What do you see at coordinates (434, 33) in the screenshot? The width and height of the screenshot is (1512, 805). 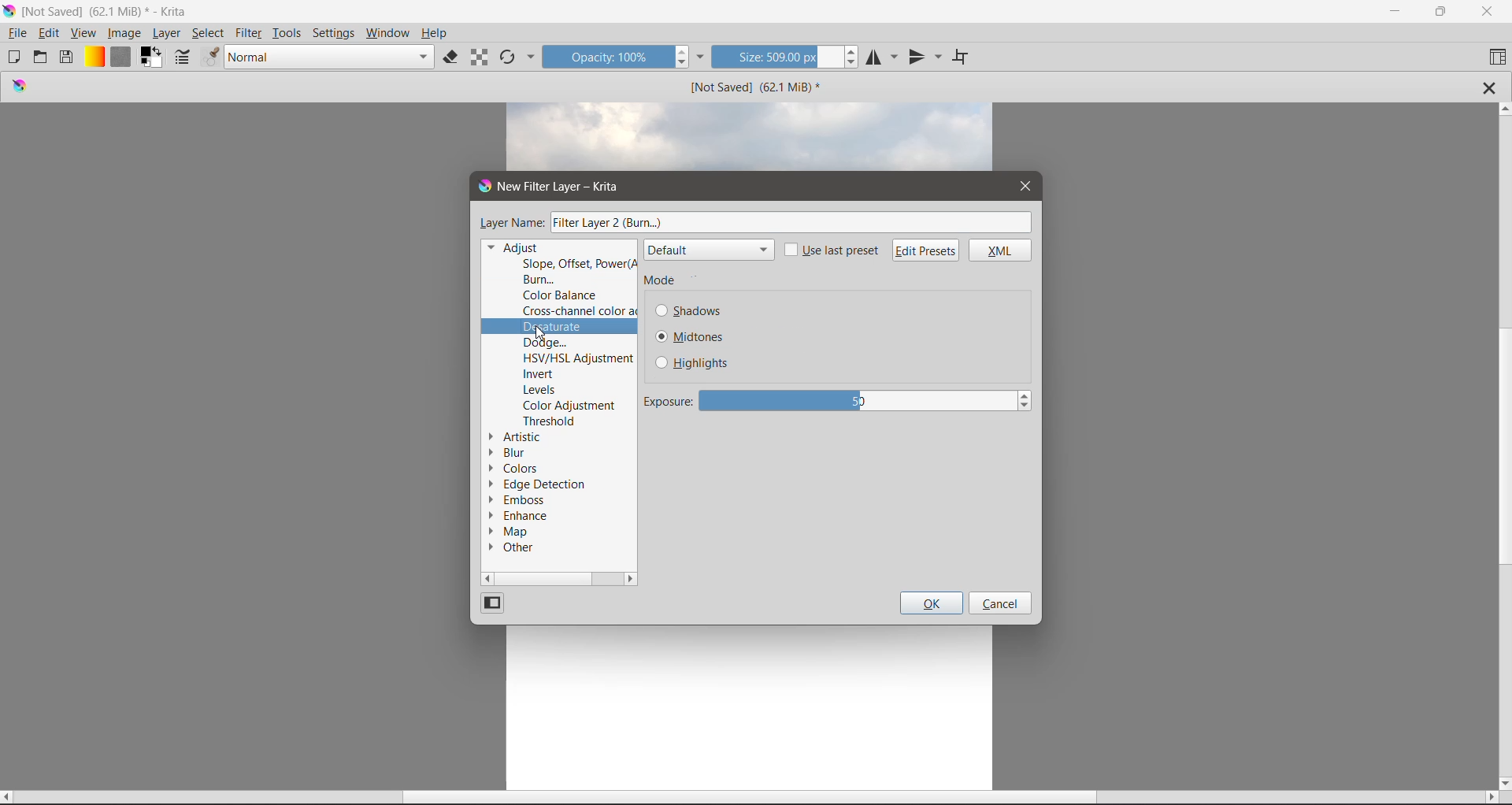 I see `Help` at bounding box center [434, 33].